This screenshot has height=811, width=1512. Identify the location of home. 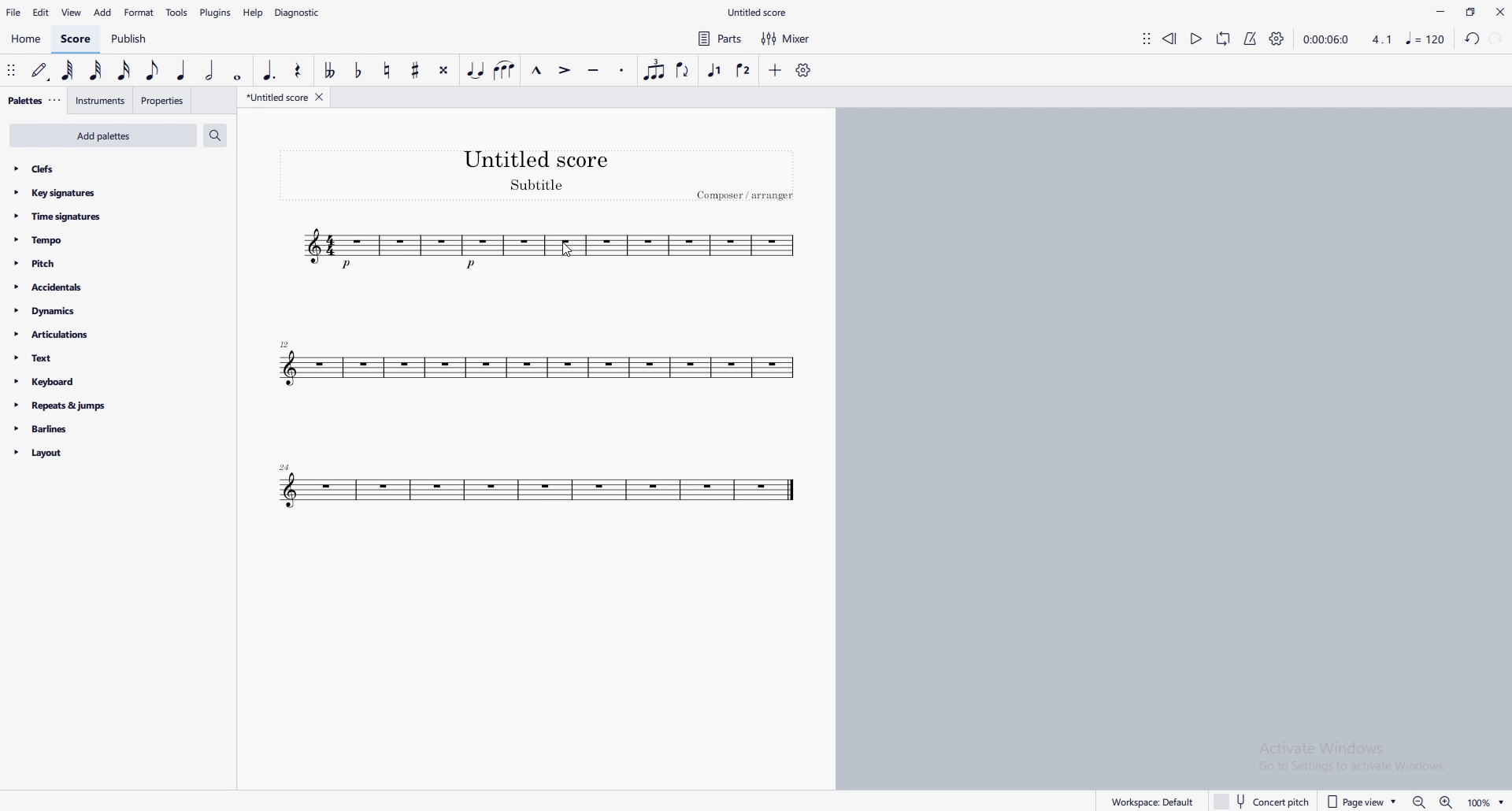
(27, 39).